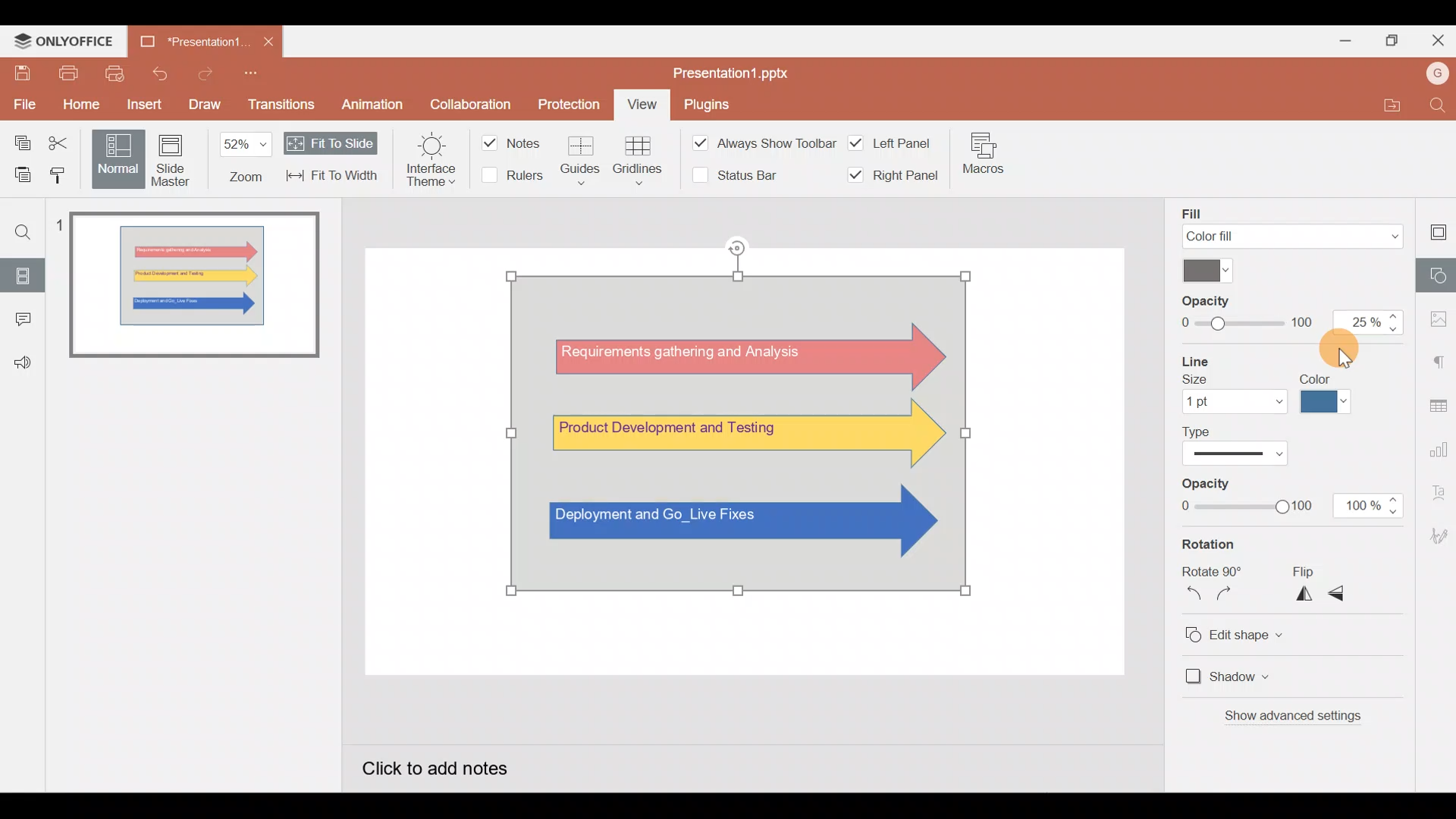 The image size is (1456, 819). What do you see at coordinates (1439, 444) in the screenshot?
I see `Chart settings` at bounding box center [1439, 444].